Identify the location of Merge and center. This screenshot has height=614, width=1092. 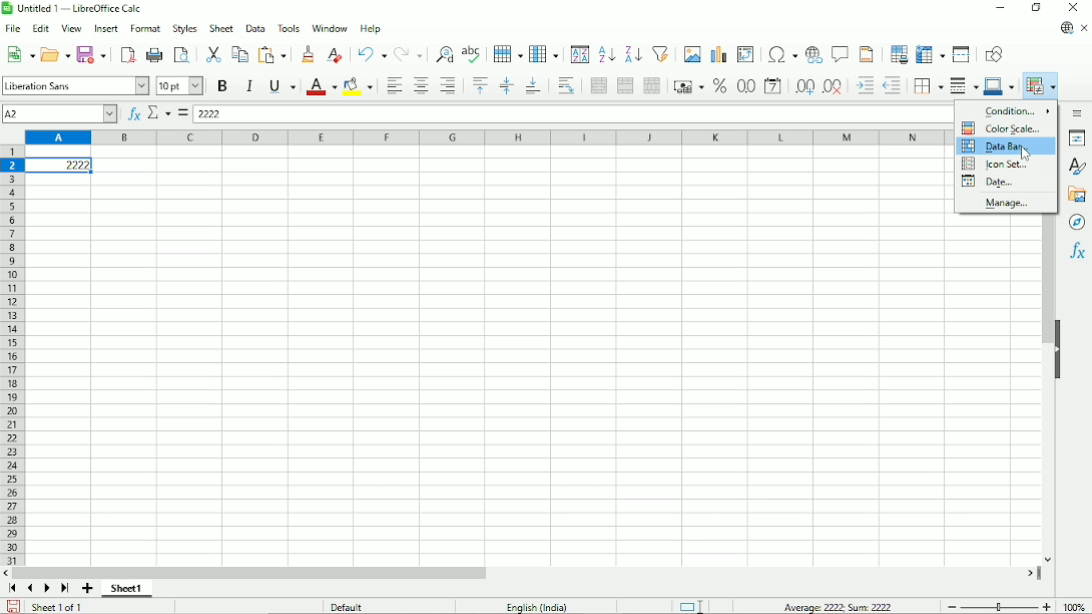
(599, 86).